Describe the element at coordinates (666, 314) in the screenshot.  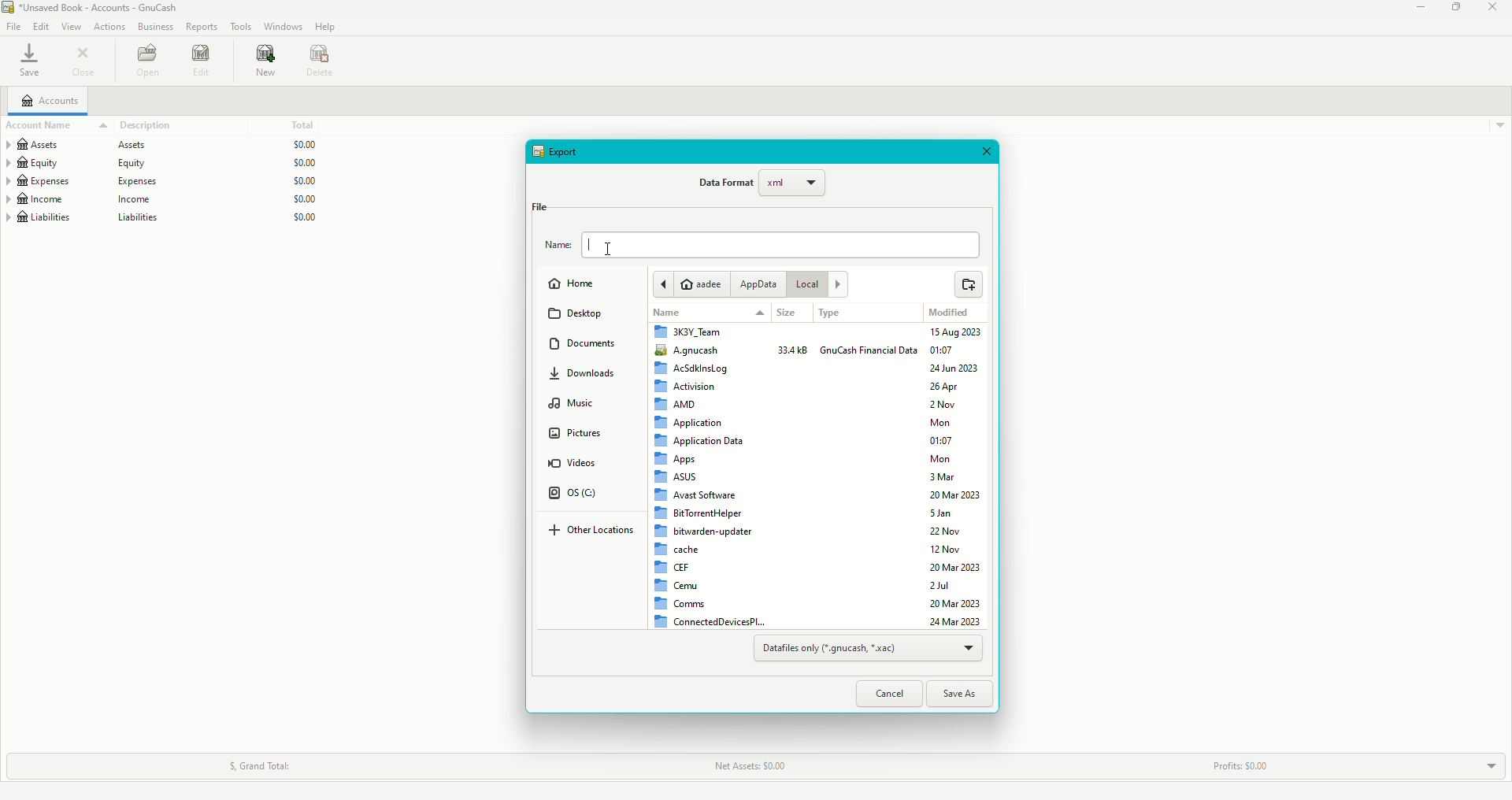
I see `Name` at that location.